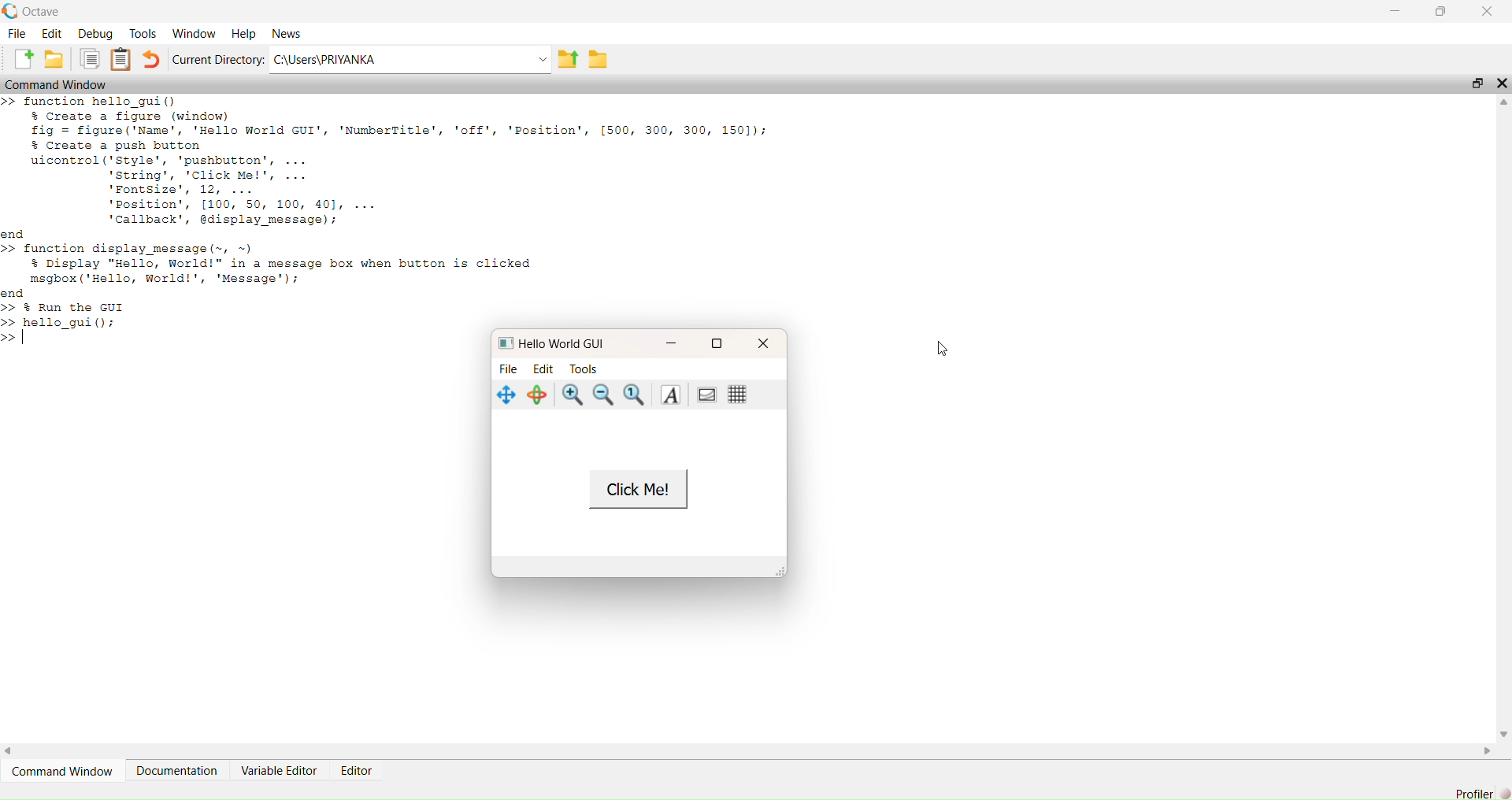 The height and width of the screenshot is (800, 1512). Describe the element at coordinates (1502, 83) in the screenshot. I see `close` at that location.